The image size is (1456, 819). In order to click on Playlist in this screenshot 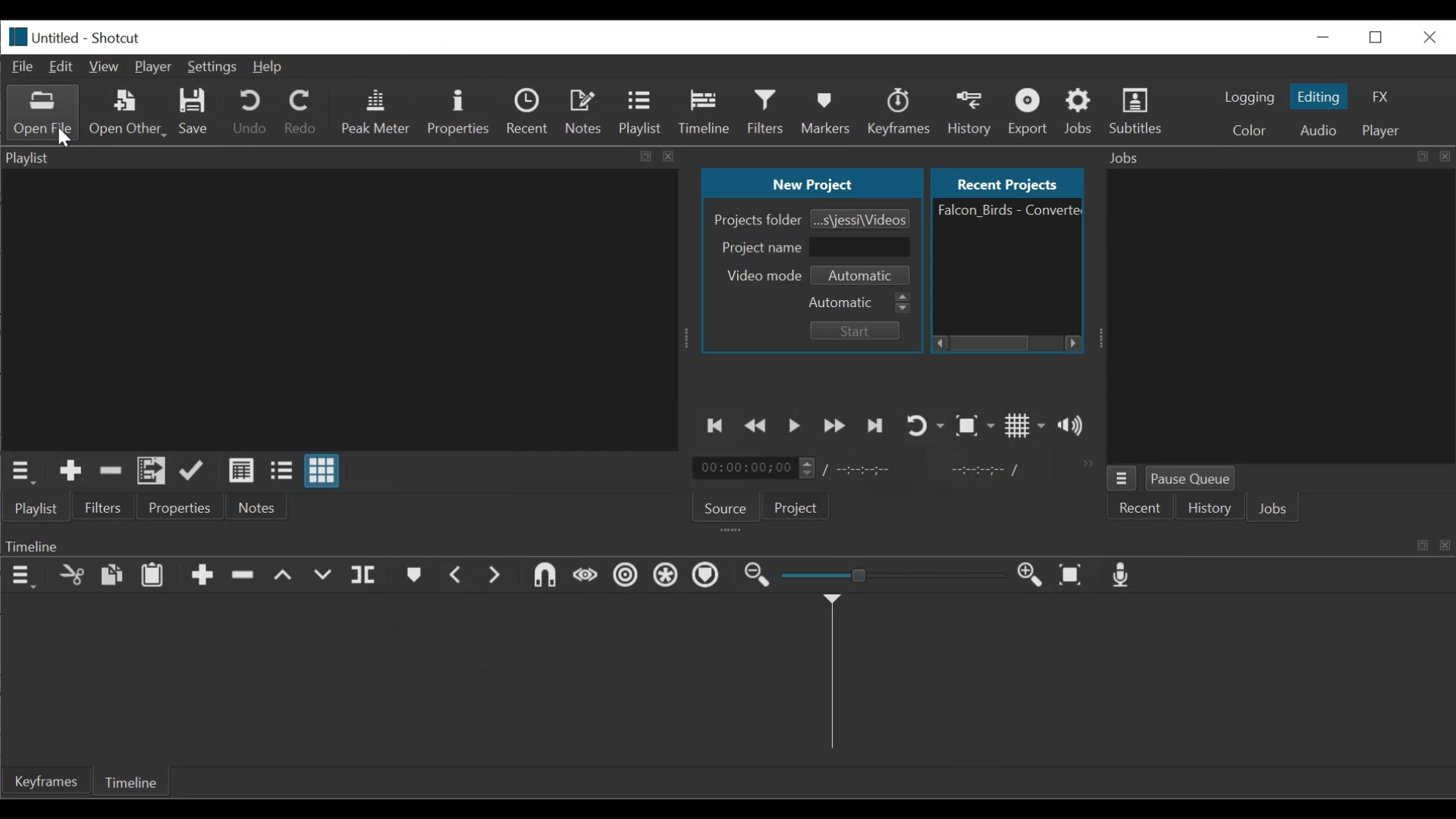, I will do `click(639, 114)`.